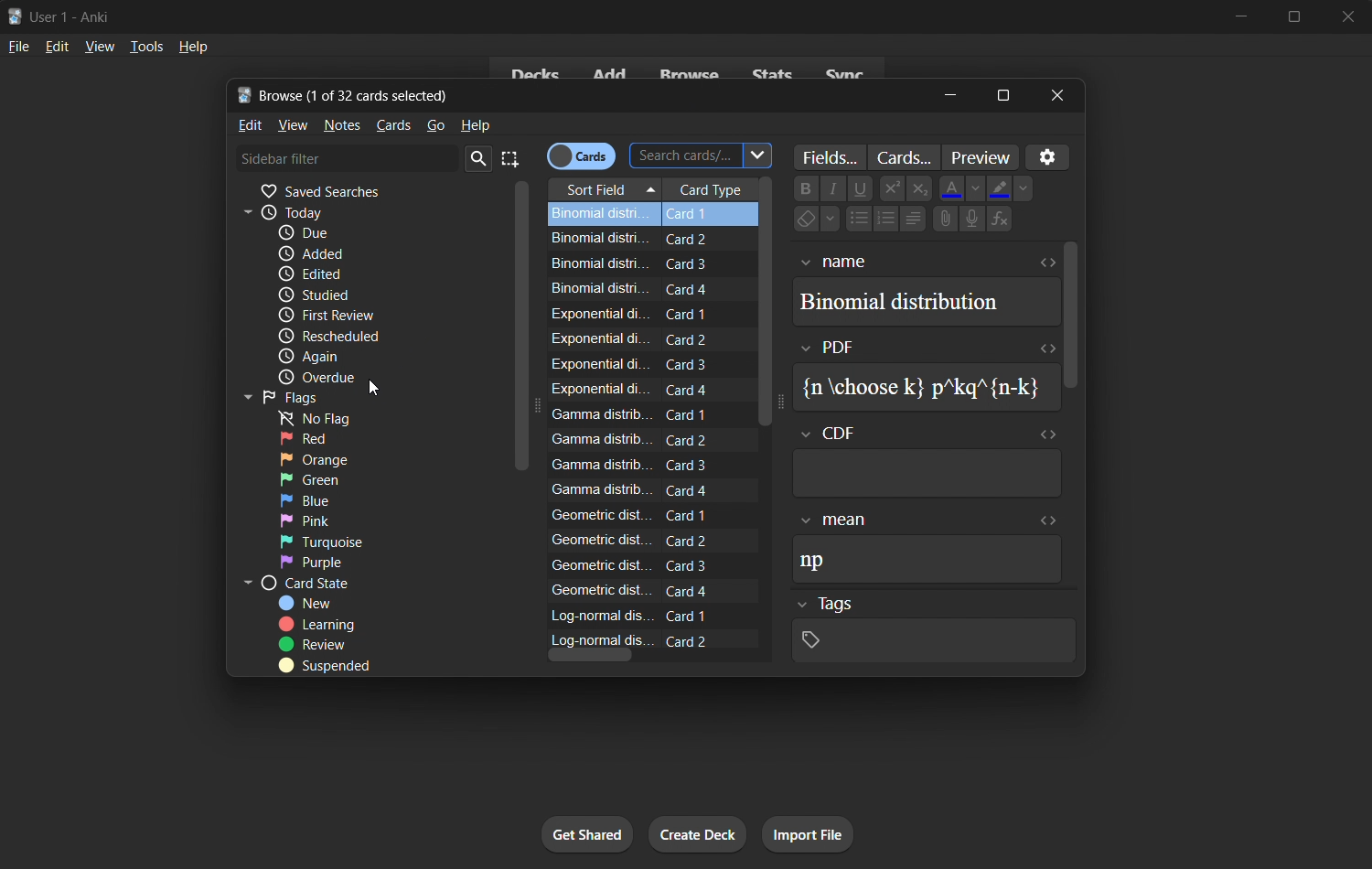 This screenshot has width=1372, height=869. What do you see at coordinates (806, 347) in the screenshot?
I see `Drop down` at bounding box center [806, 347].